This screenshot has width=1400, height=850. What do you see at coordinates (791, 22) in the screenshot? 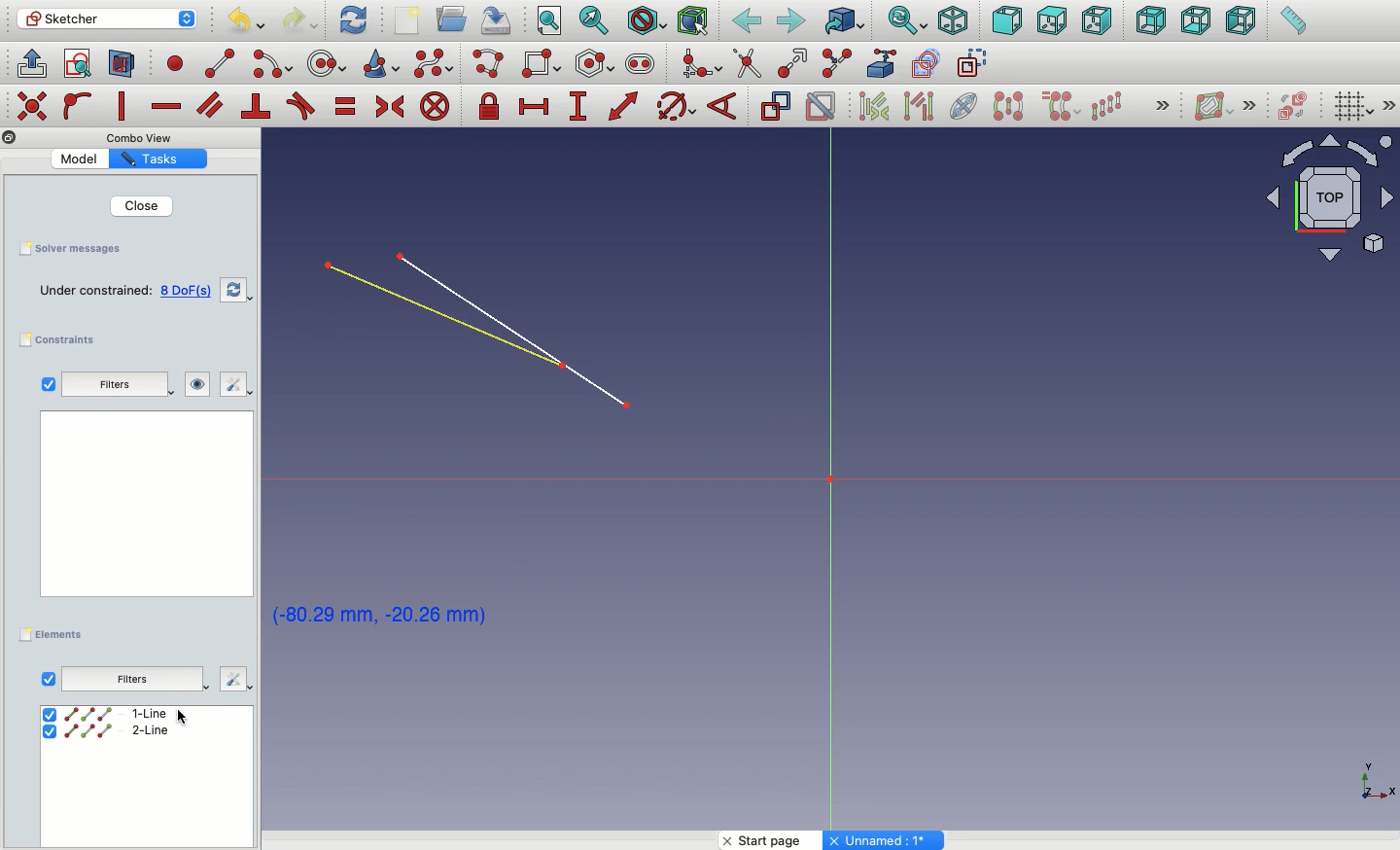
I see `Forward` at bounding box center [791, 22].